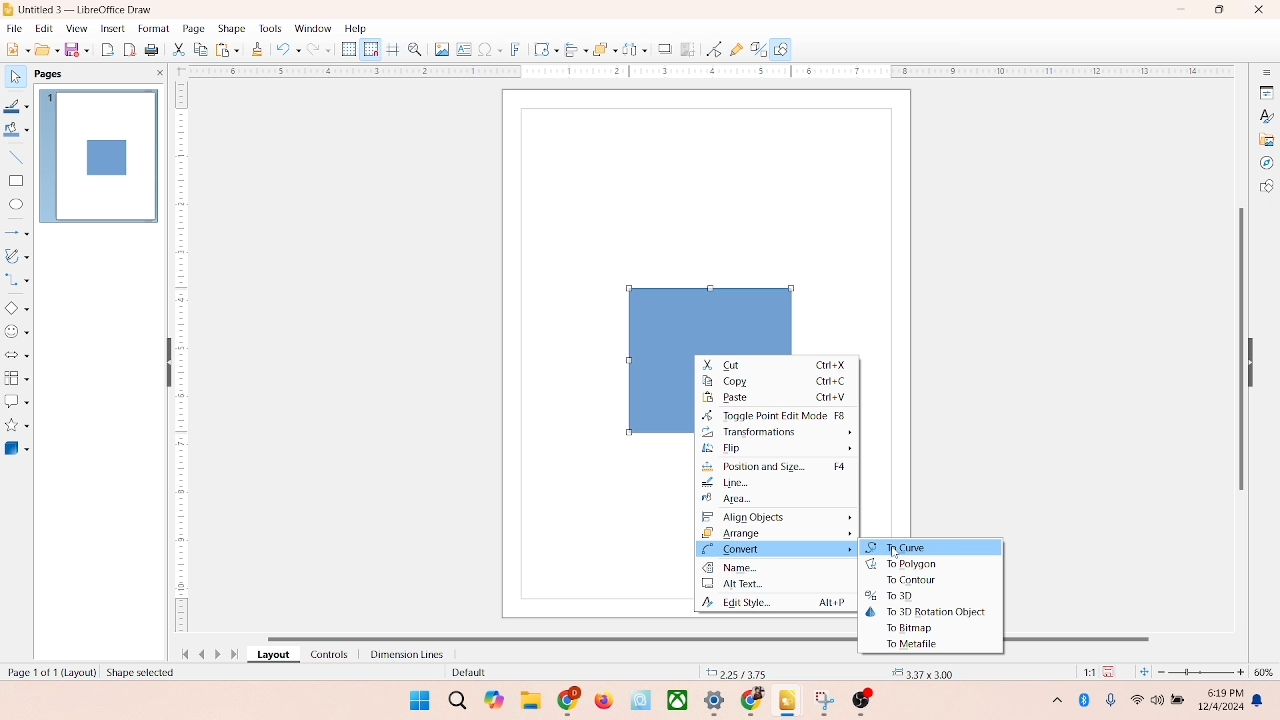 The image size is (1280, 720). I want to click on microphone, so click(1112, 701).